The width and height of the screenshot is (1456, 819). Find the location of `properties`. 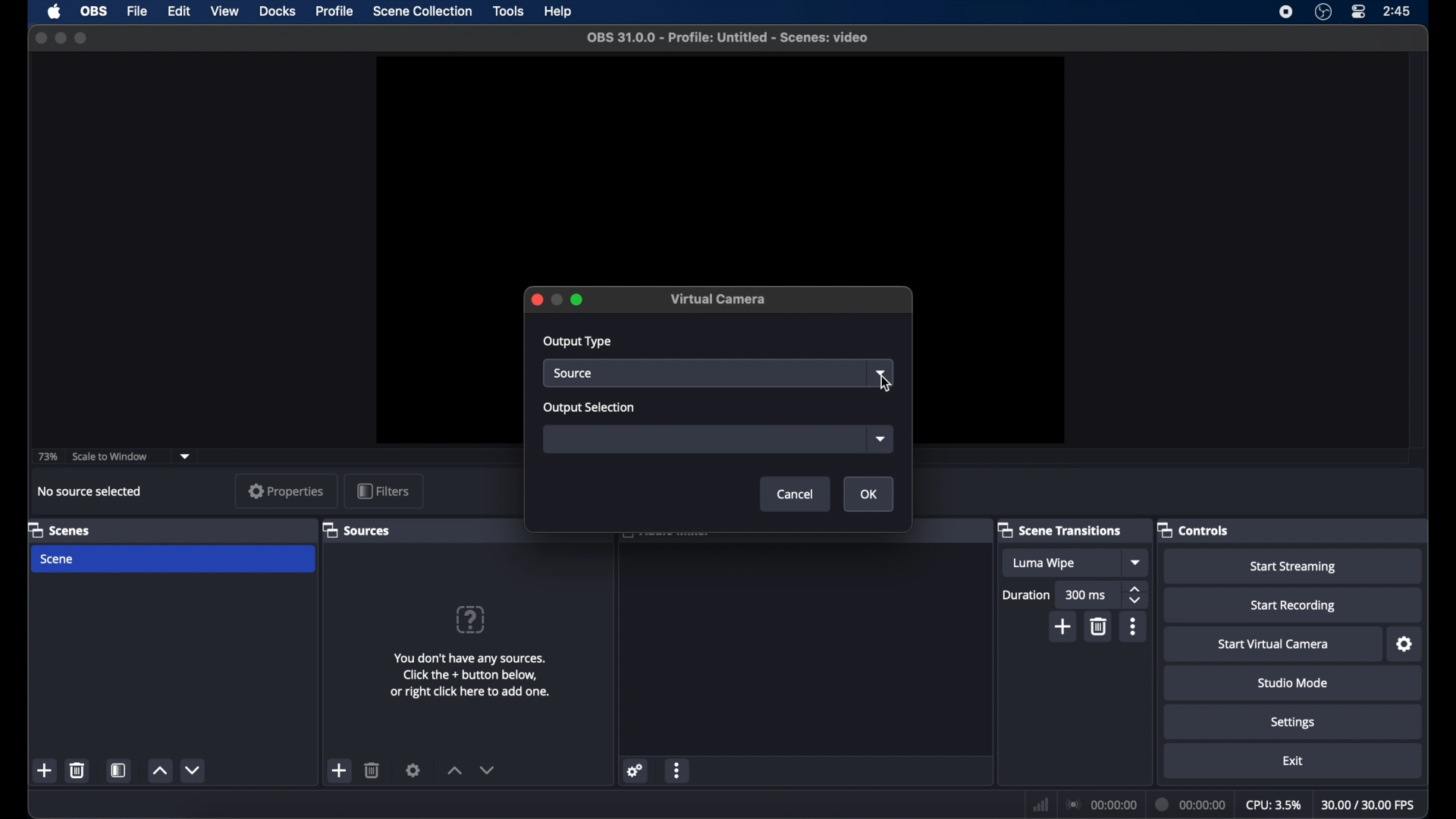

properties is located at coordinates (286, 491).